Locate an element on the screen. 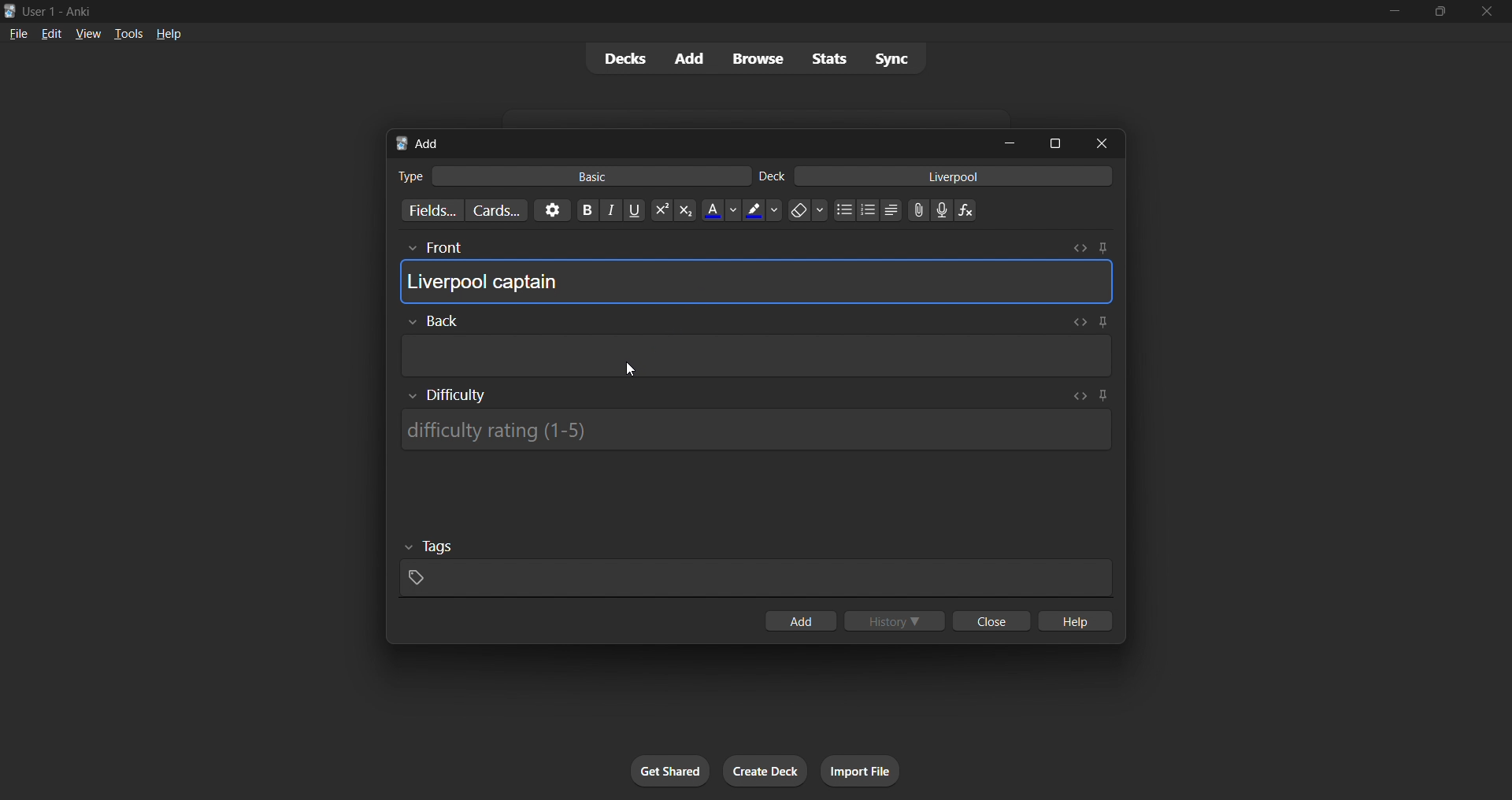 Image resolution: width=1512 pixels, height=800 pixels. Difficulty rating input box is located at coordinates (755, 430).